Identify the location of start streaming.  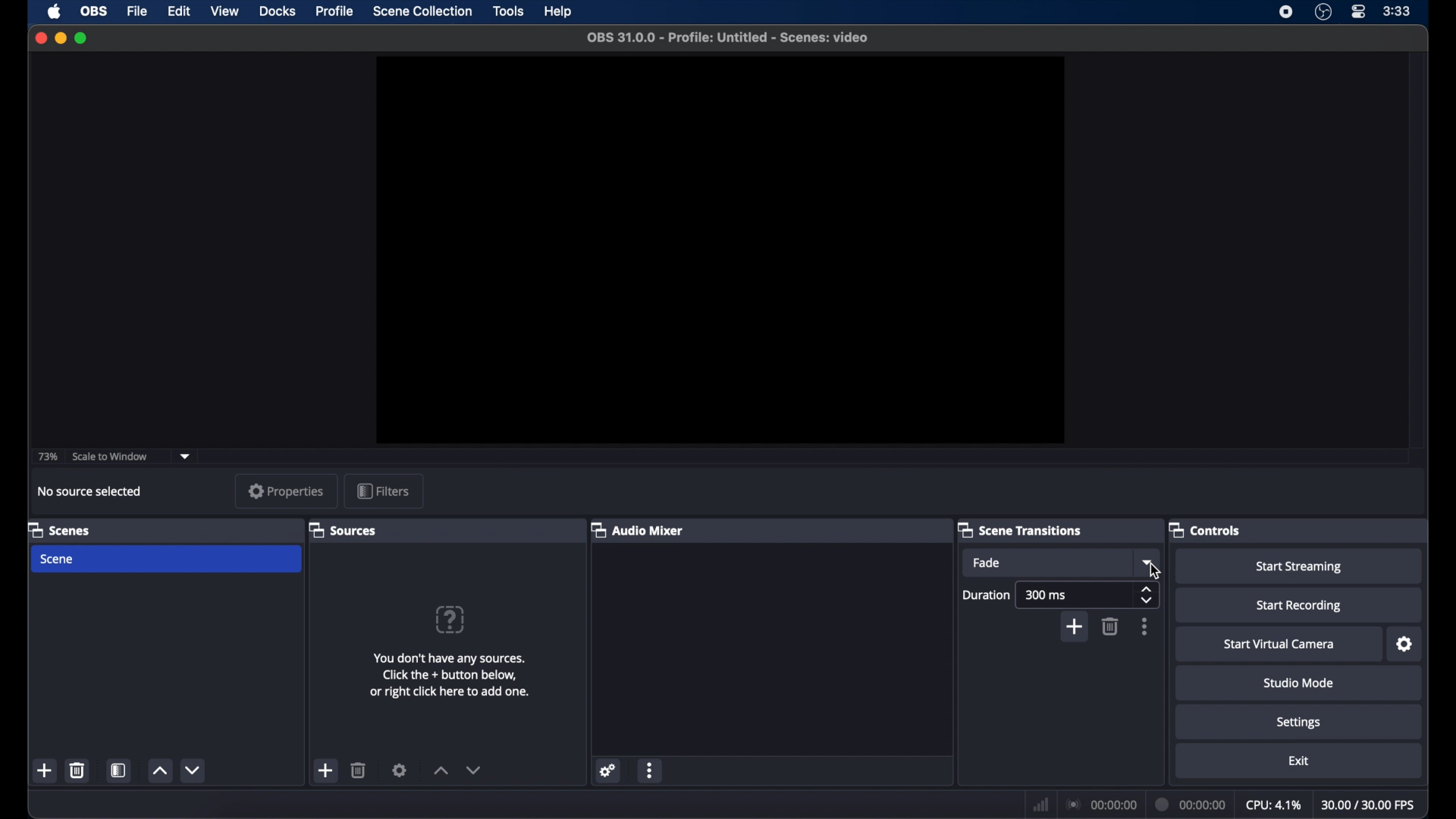
(1301, 567).